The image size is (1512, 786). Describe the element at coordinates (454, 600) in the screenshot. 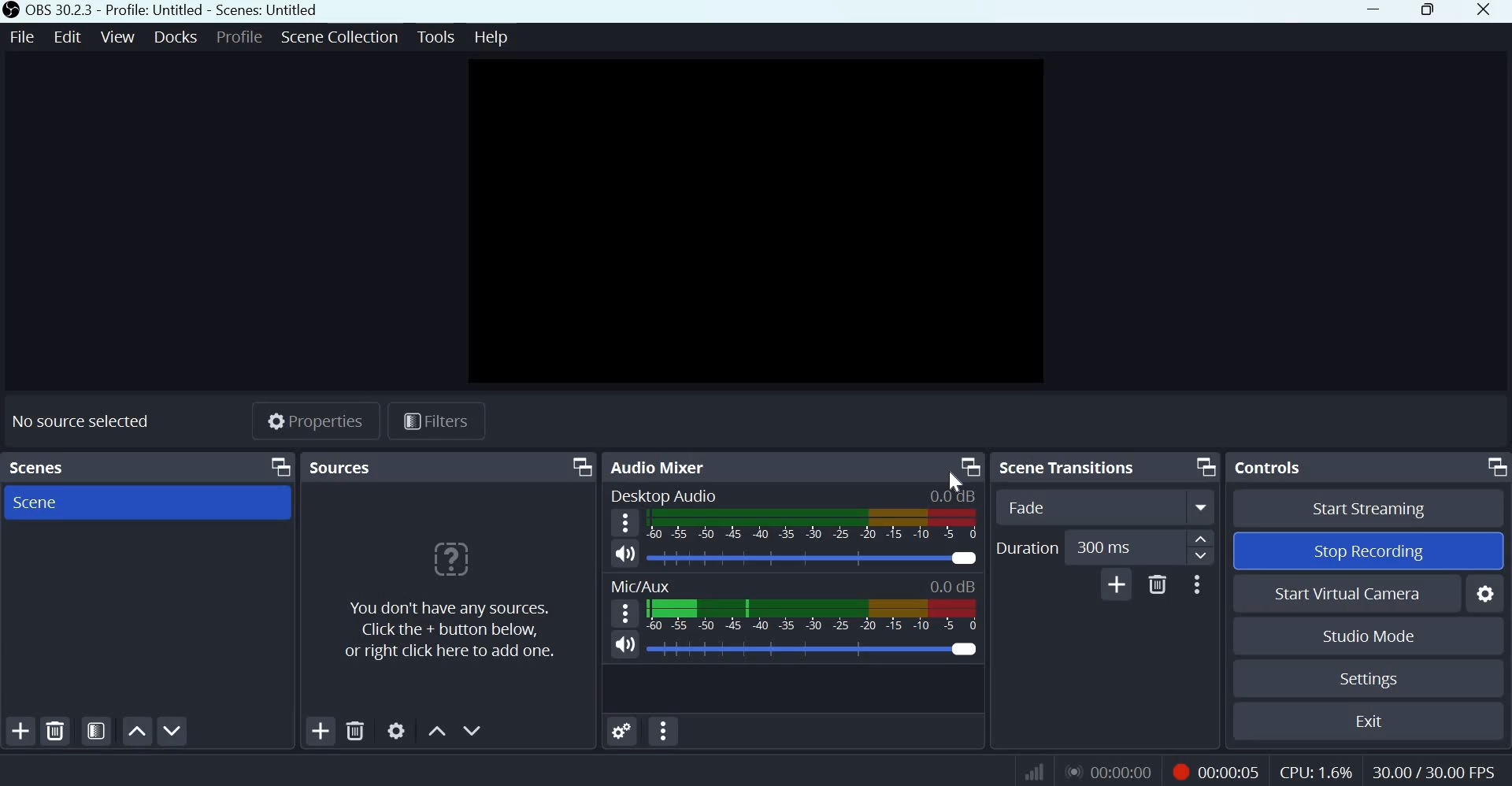

I see `You don't have any sources. Click the +button below, or right click here to add one. ` at that location.